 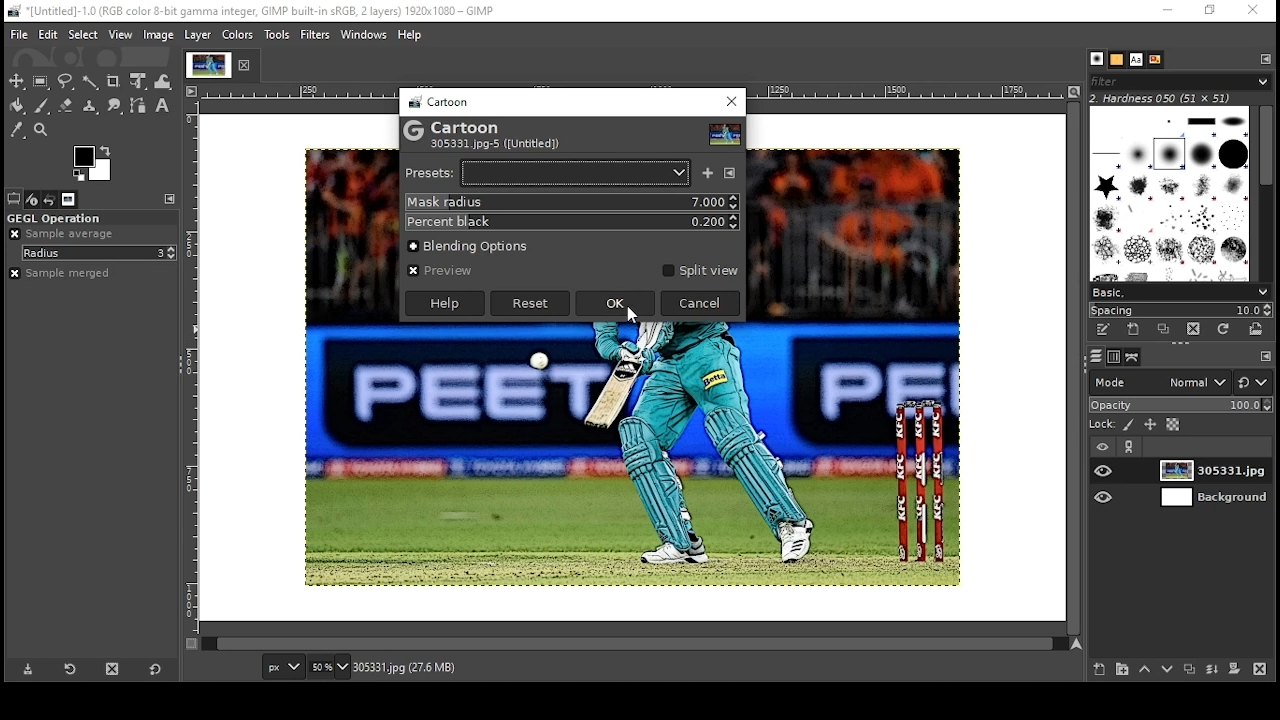 What do you see at coordinates (1257, 329) in the screenshot?
I see `open brush as image` at bounding box center [1257, 329].